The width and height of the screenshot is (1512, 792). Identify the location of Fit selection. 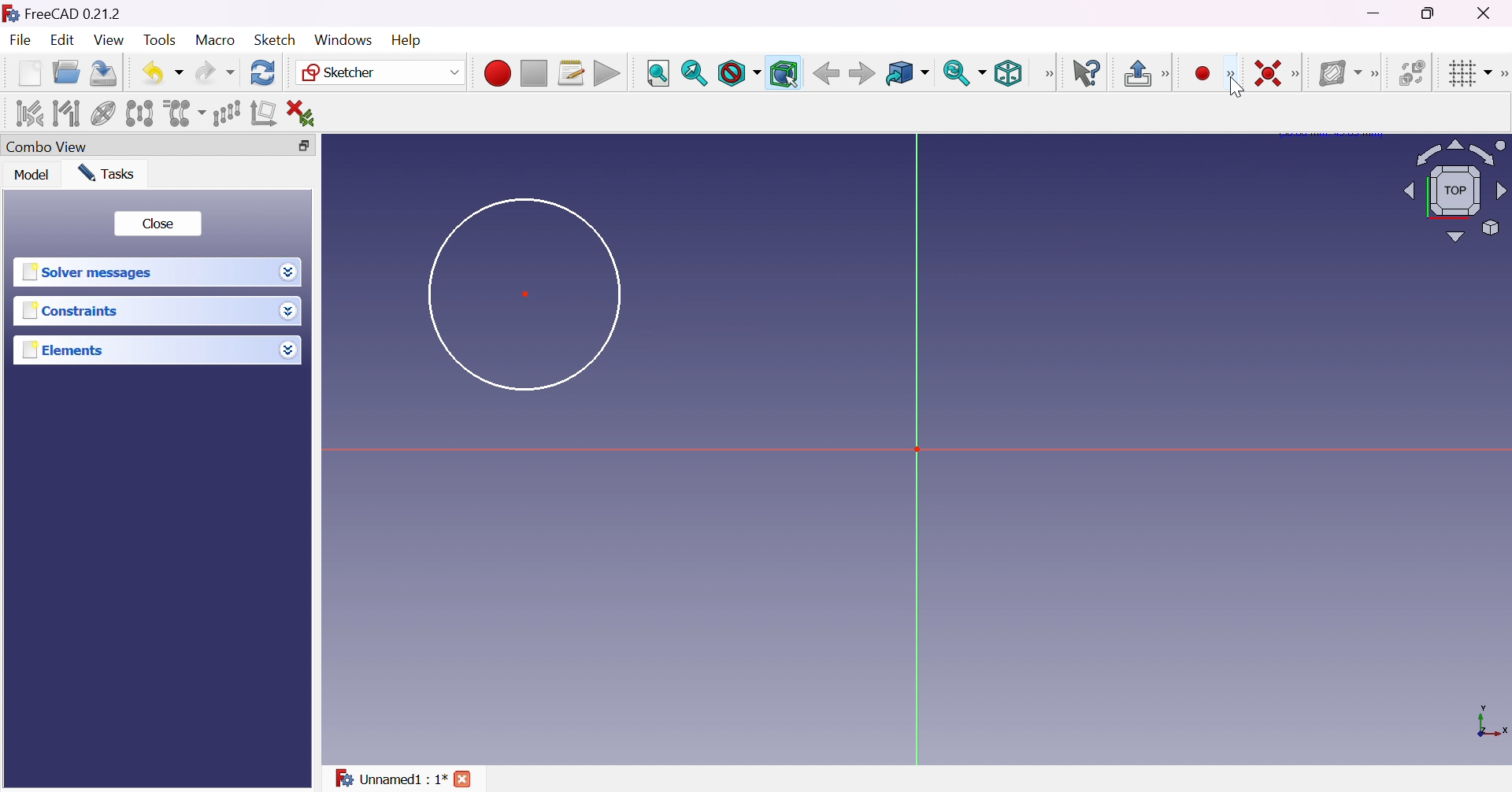
(694, 73).